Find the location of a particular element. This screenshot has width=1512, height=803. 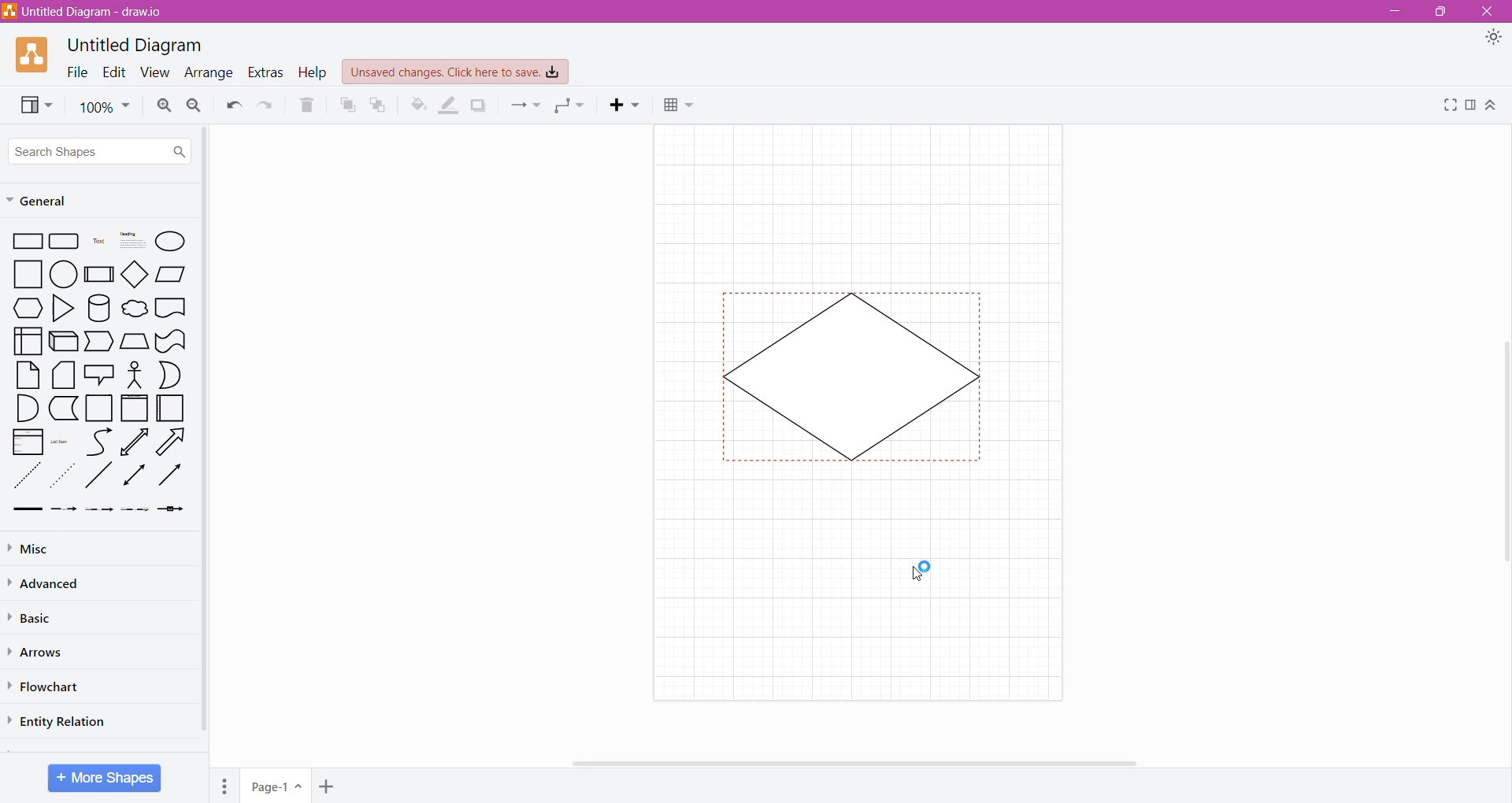

To Back is located at coordinates (378, 105).